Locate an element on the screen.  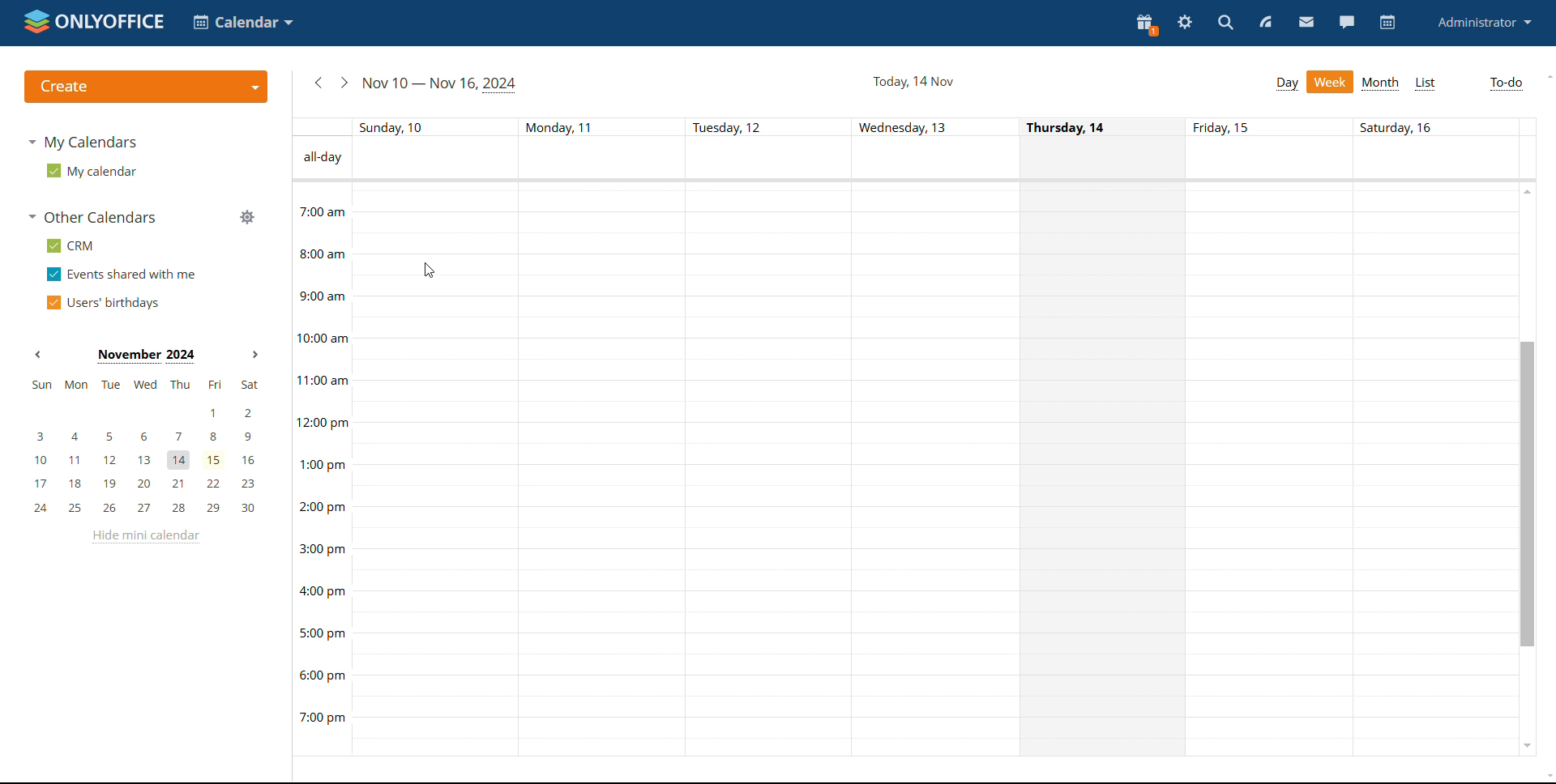
previous month is located at coordinates (37, 356).